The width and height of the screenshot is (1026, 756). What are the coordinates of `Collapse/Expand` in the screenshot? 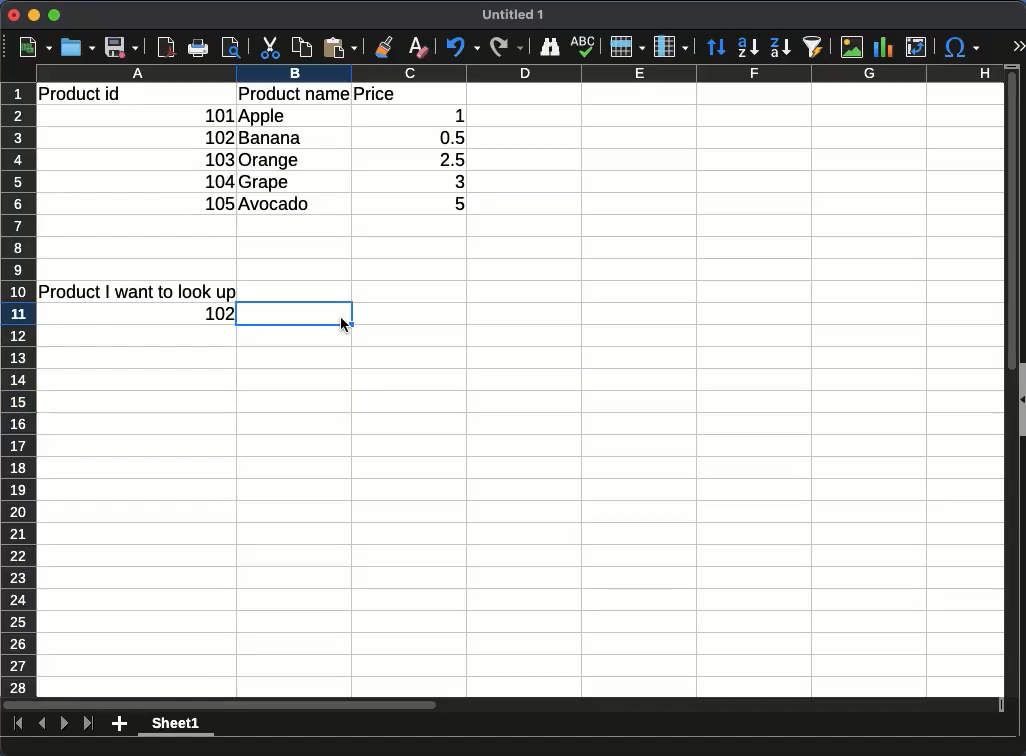 It's located at (1023, 400).